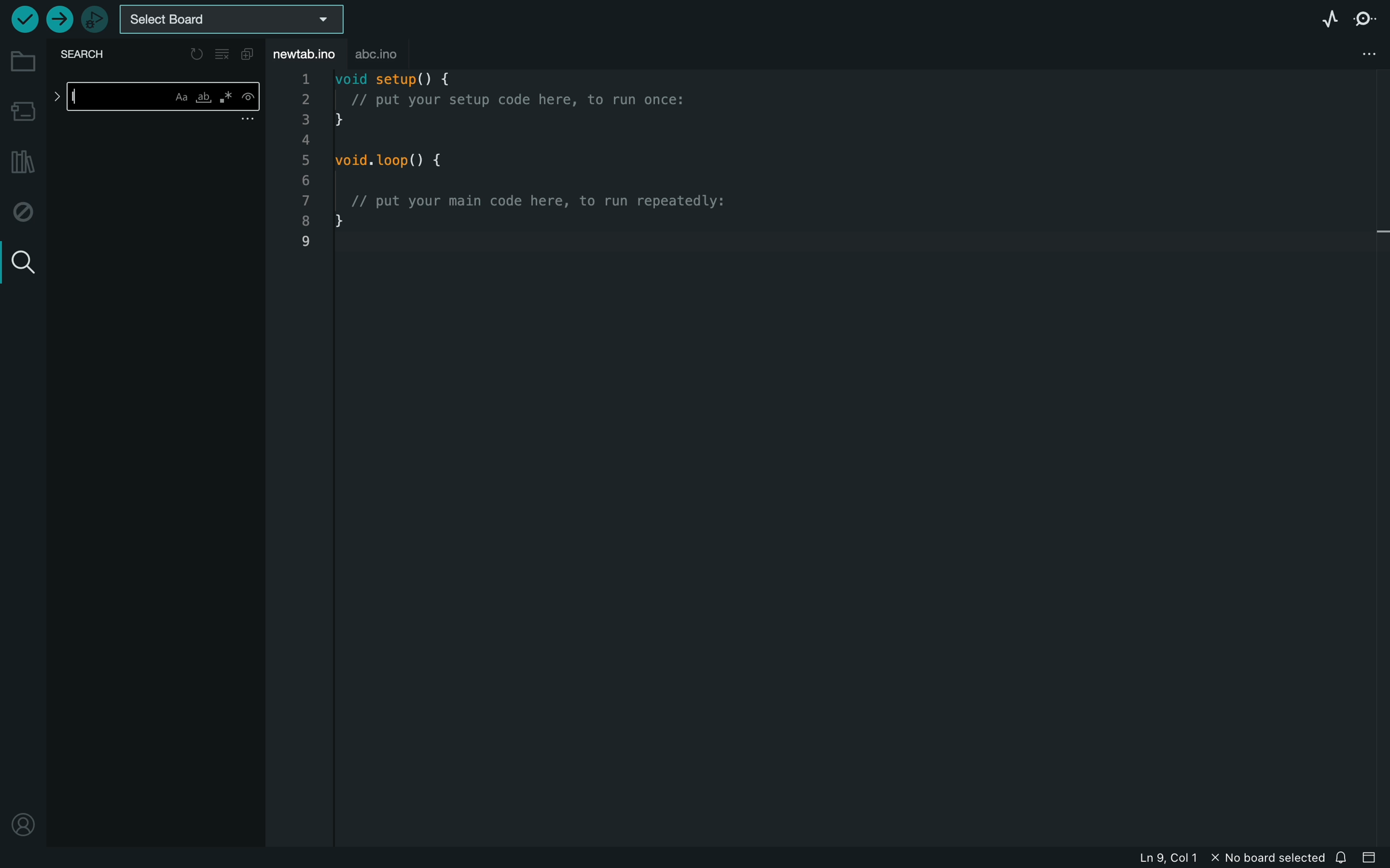 This screenshot has height=868, width=1390. I want to click on serial plotter, so click(1315, 17).